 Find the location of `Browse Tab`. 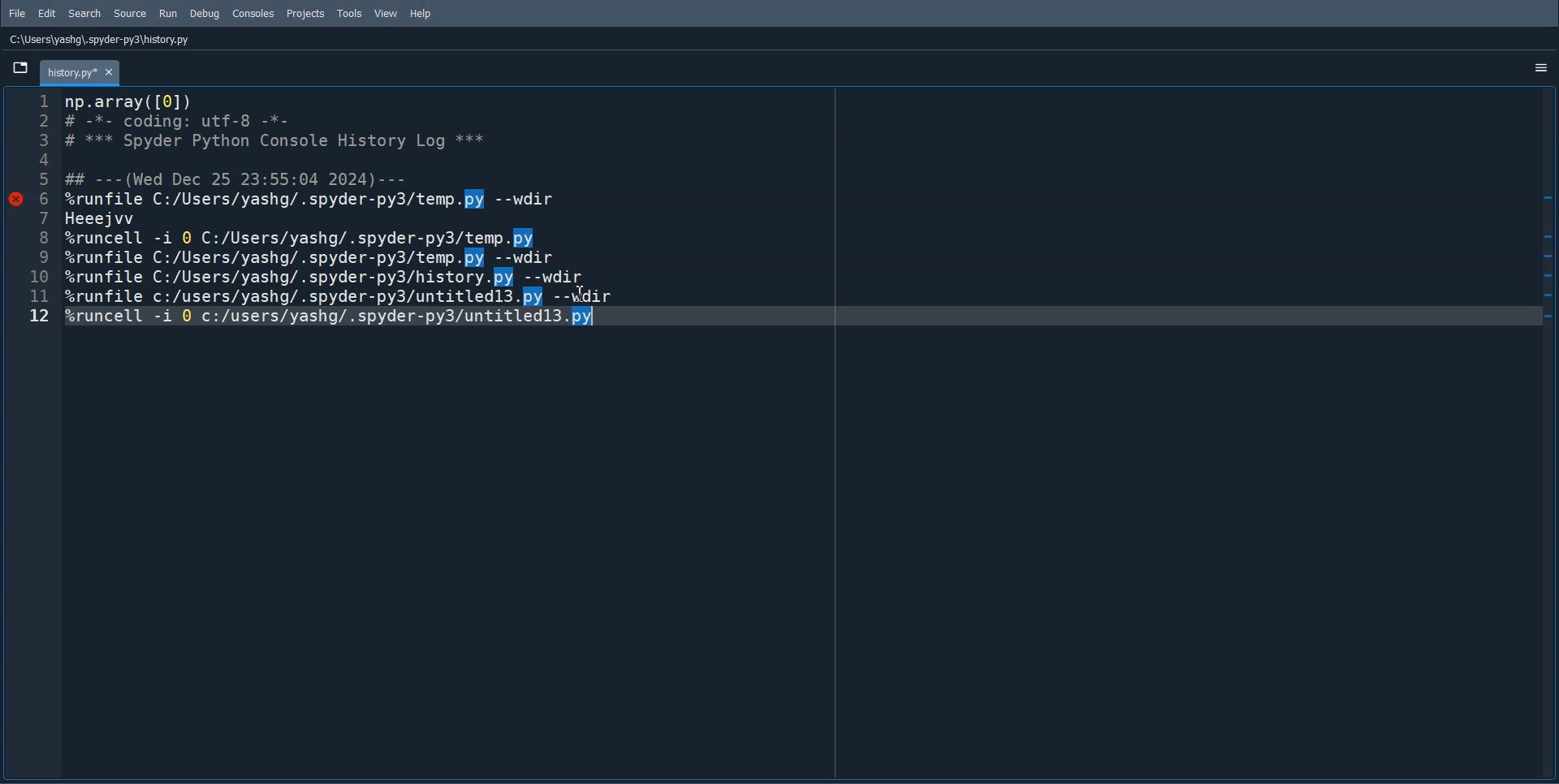

Browse Tab is located at coordinates (19, 67).